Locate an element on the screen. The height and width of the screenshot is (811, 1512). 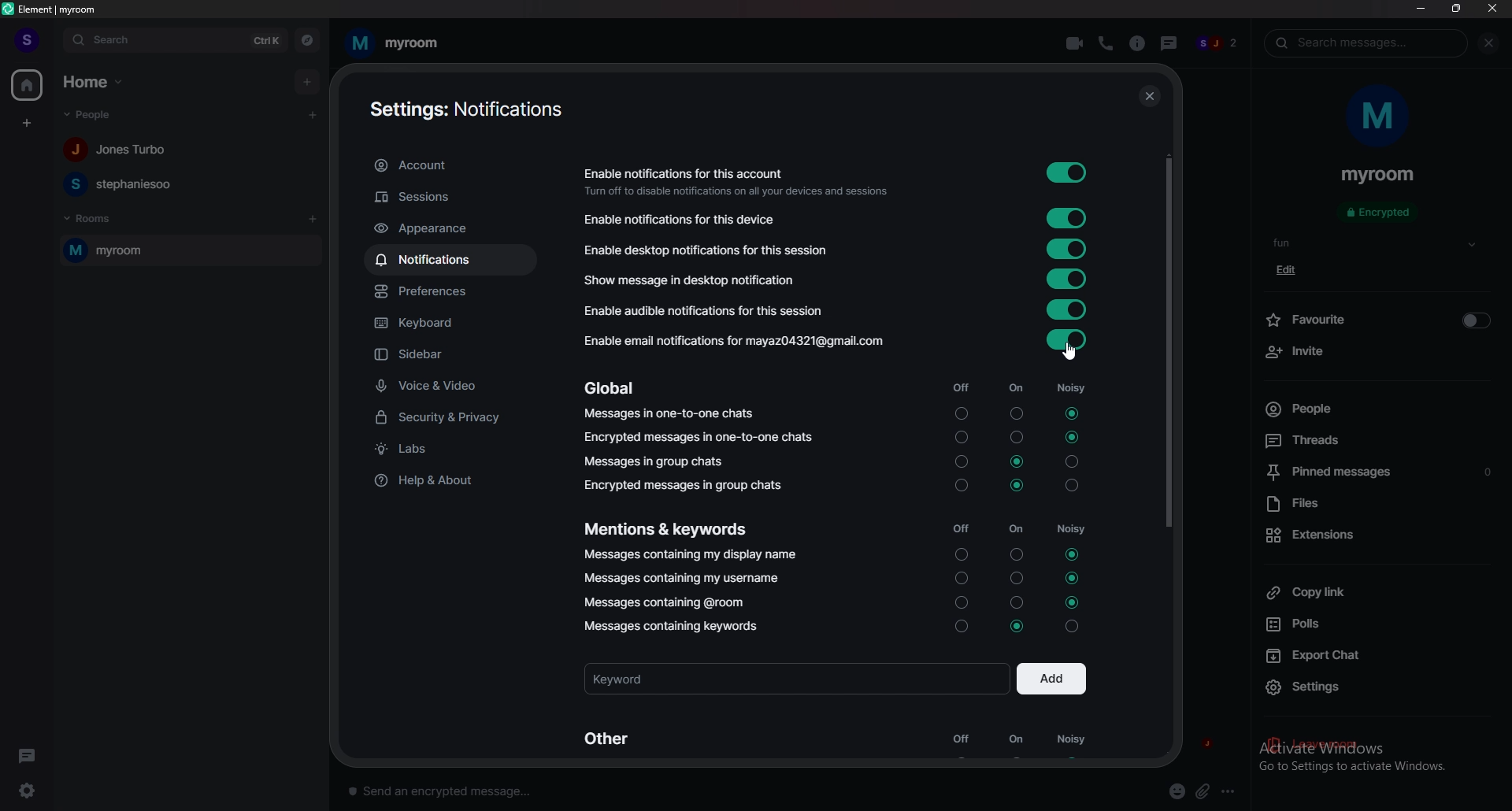
noisy is located at coordinates (1070, 743).